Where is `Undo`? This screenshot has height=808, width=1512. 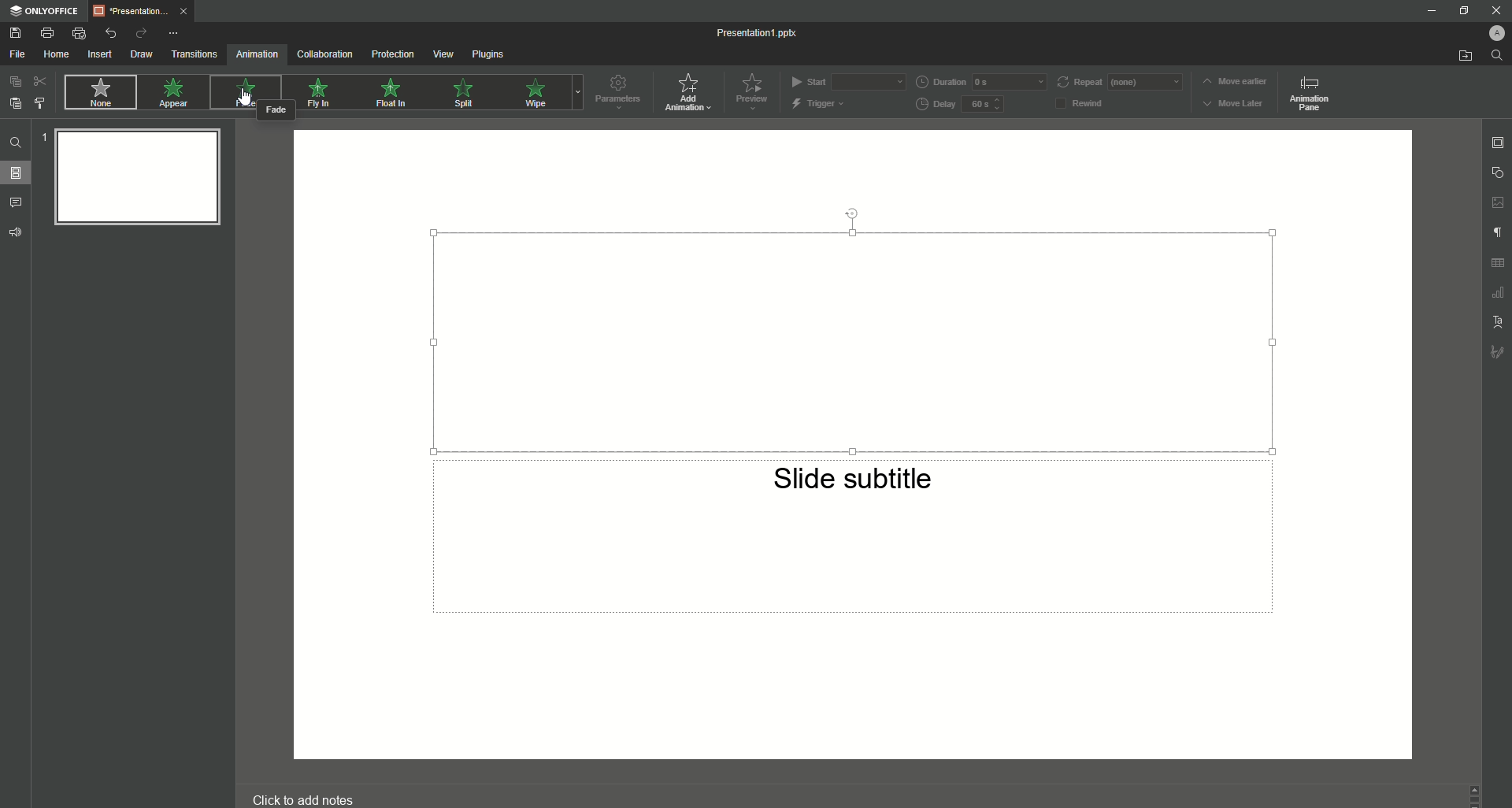
Undo is located at coordinates (106, 33).